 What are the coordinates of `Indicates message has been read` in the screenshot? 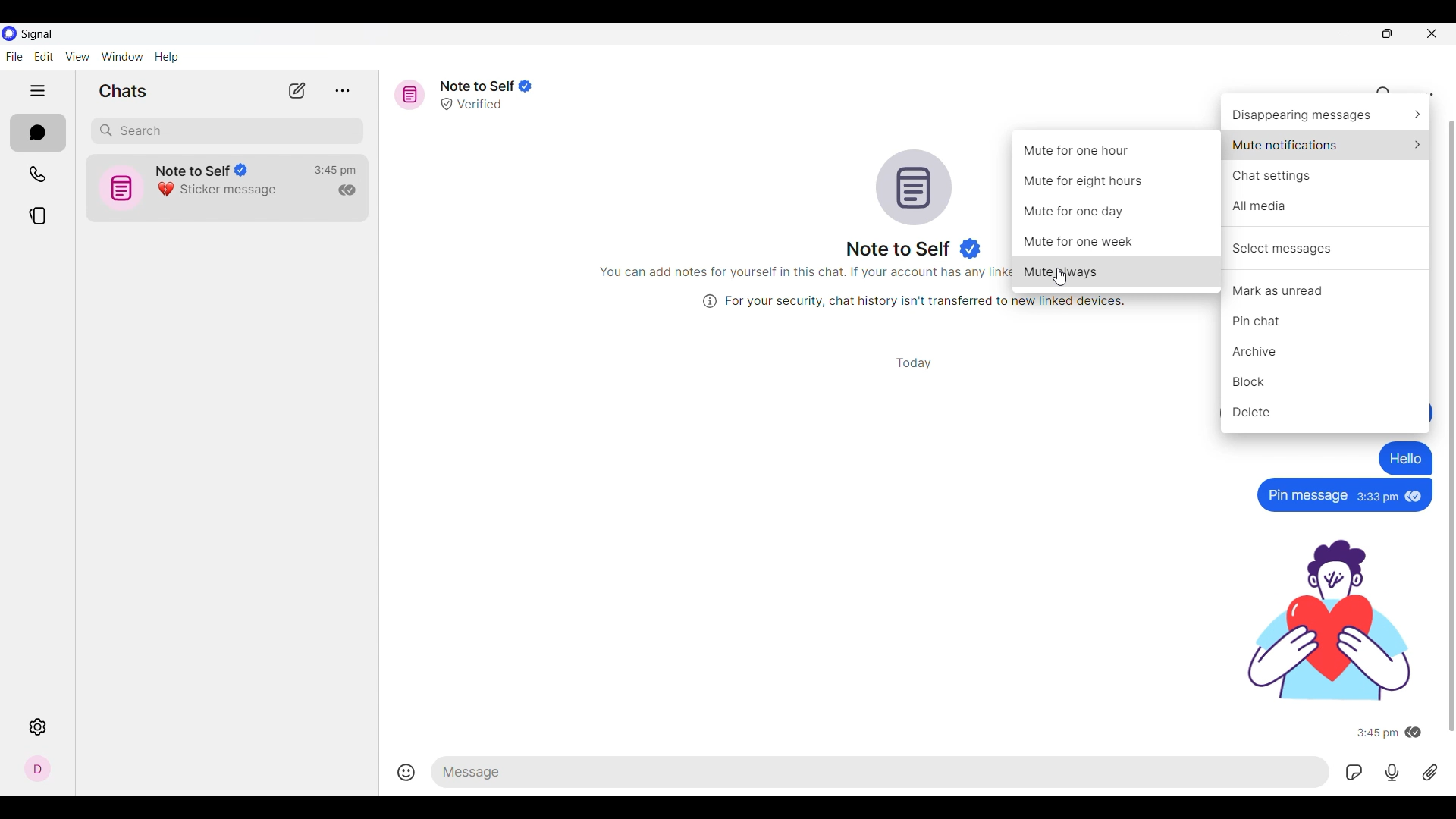 It's located at (347, 190).